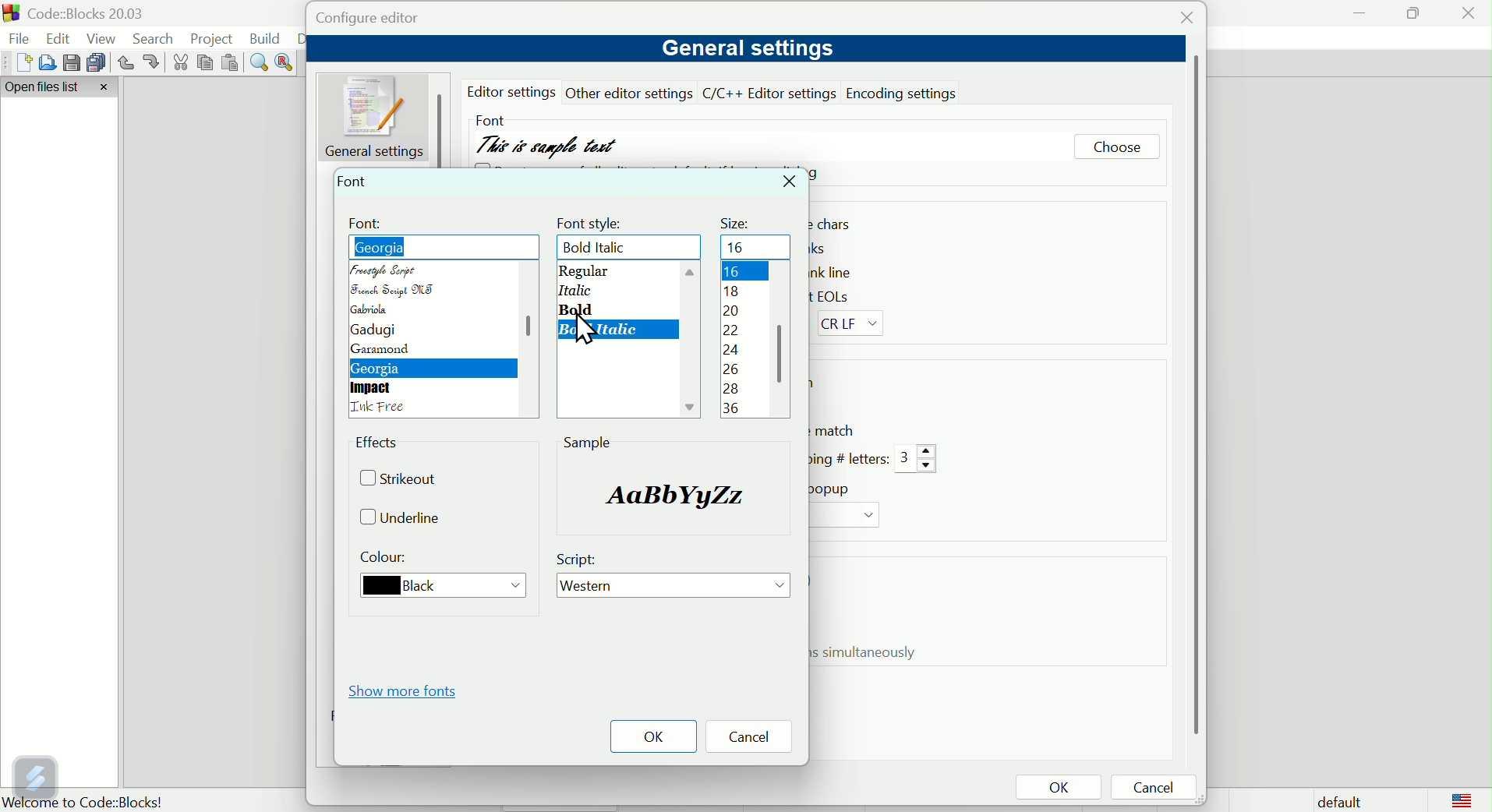 Image resolution: width=1492 pixels, height=812 pixels. Describe the element at coordinates (917, 460) in the screenshot. I see `3` at that location.